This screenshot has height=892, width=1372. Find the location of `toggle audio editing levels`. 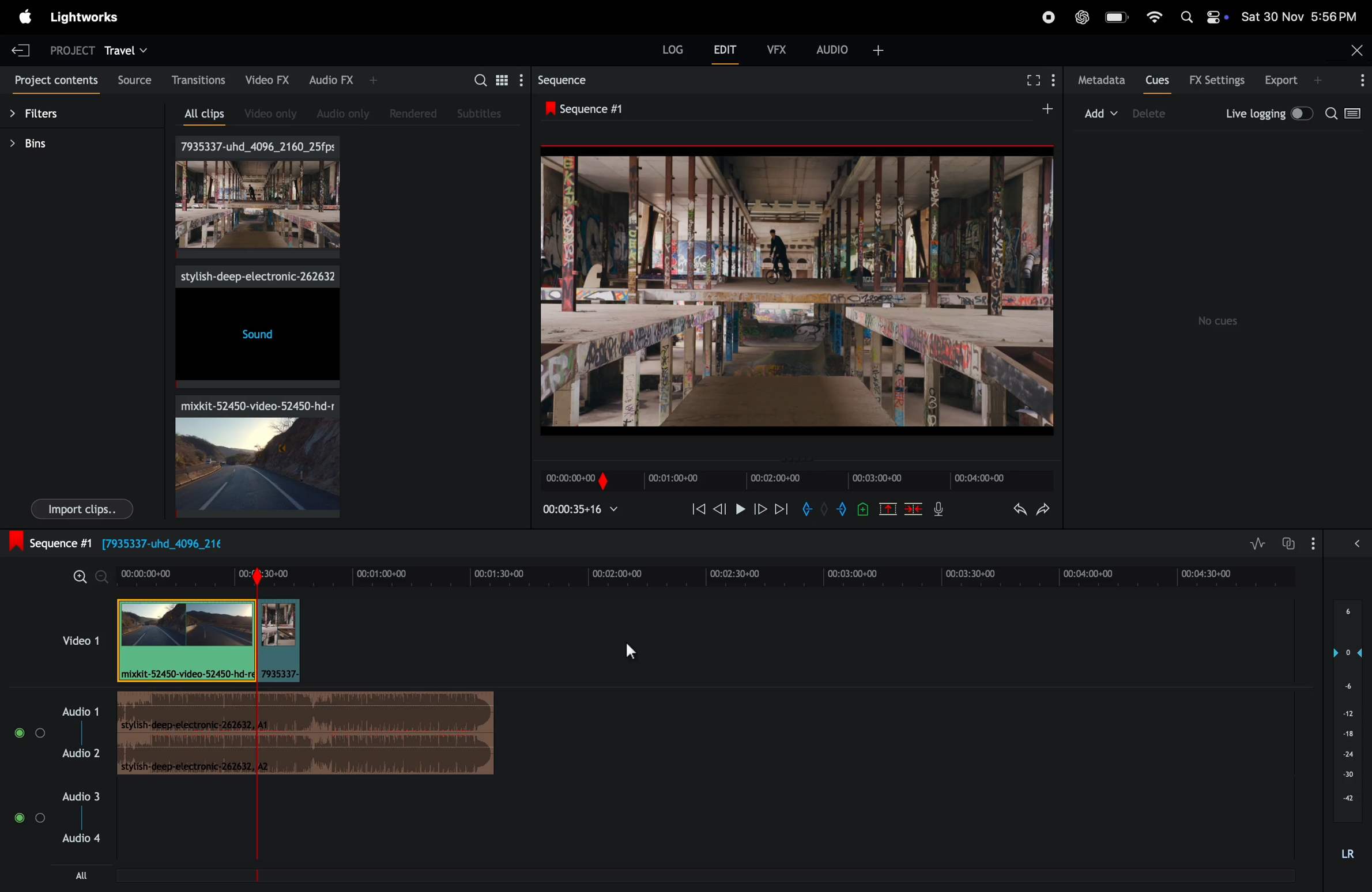

toggle audio editing levels is located at coordinates (1254, 543).